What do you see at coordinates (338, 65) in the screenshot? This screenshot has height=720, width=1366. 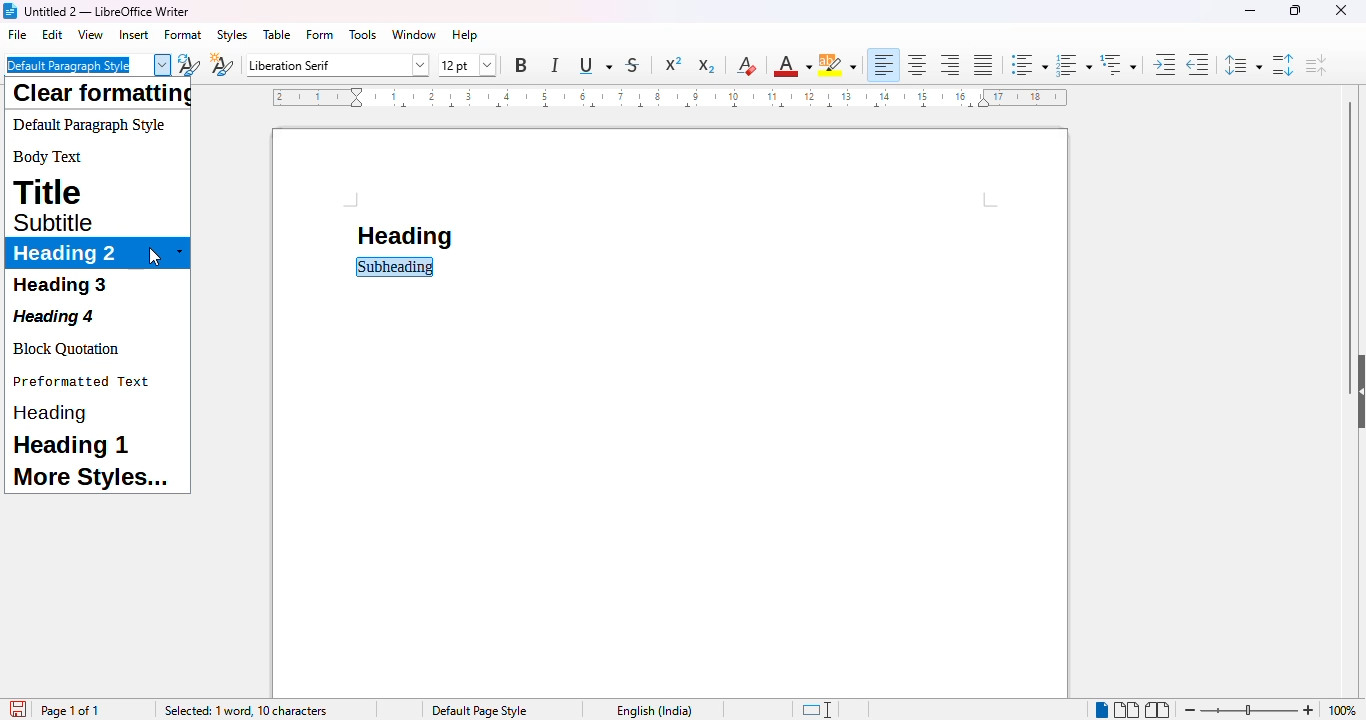 I see `font name` at bounding box center [338, 65].